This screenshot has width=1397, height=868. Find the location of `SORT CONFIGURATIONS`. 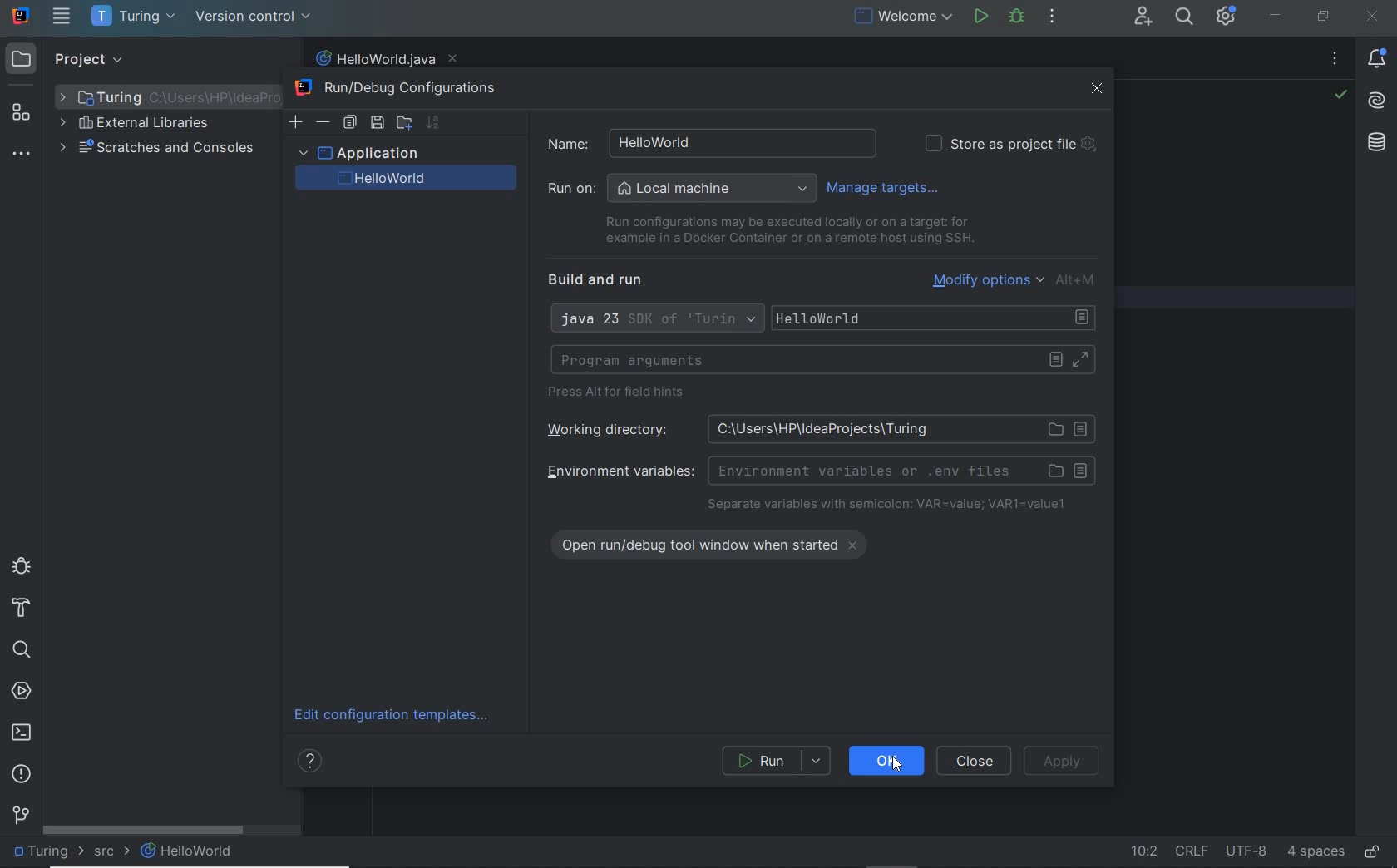

SORT CONFIGURATIONS is located at coordinates (432, 122).